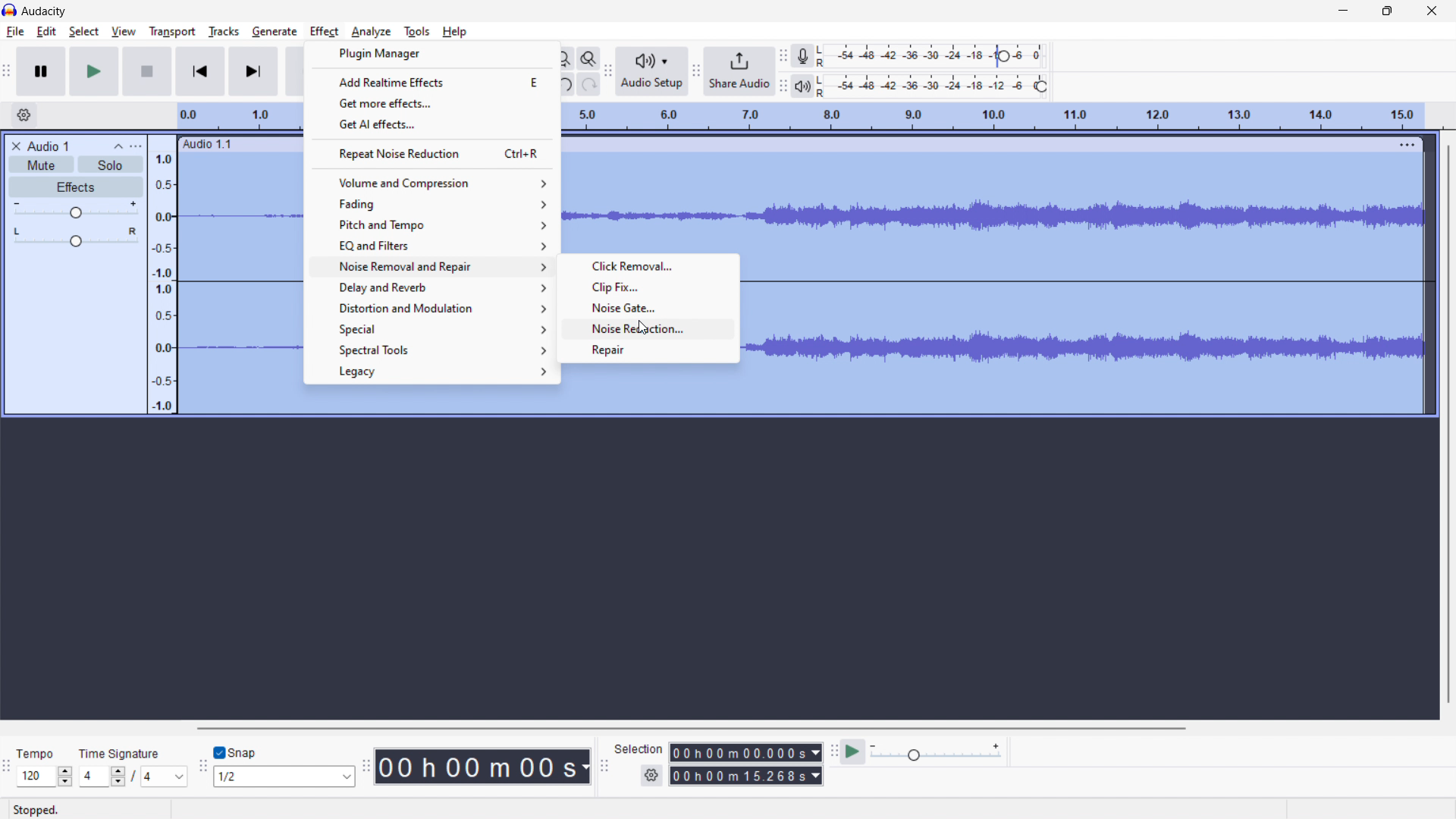 This screenshot has height=819, width=1456. I want to click on recording meter toolbar, so click(783, 56).